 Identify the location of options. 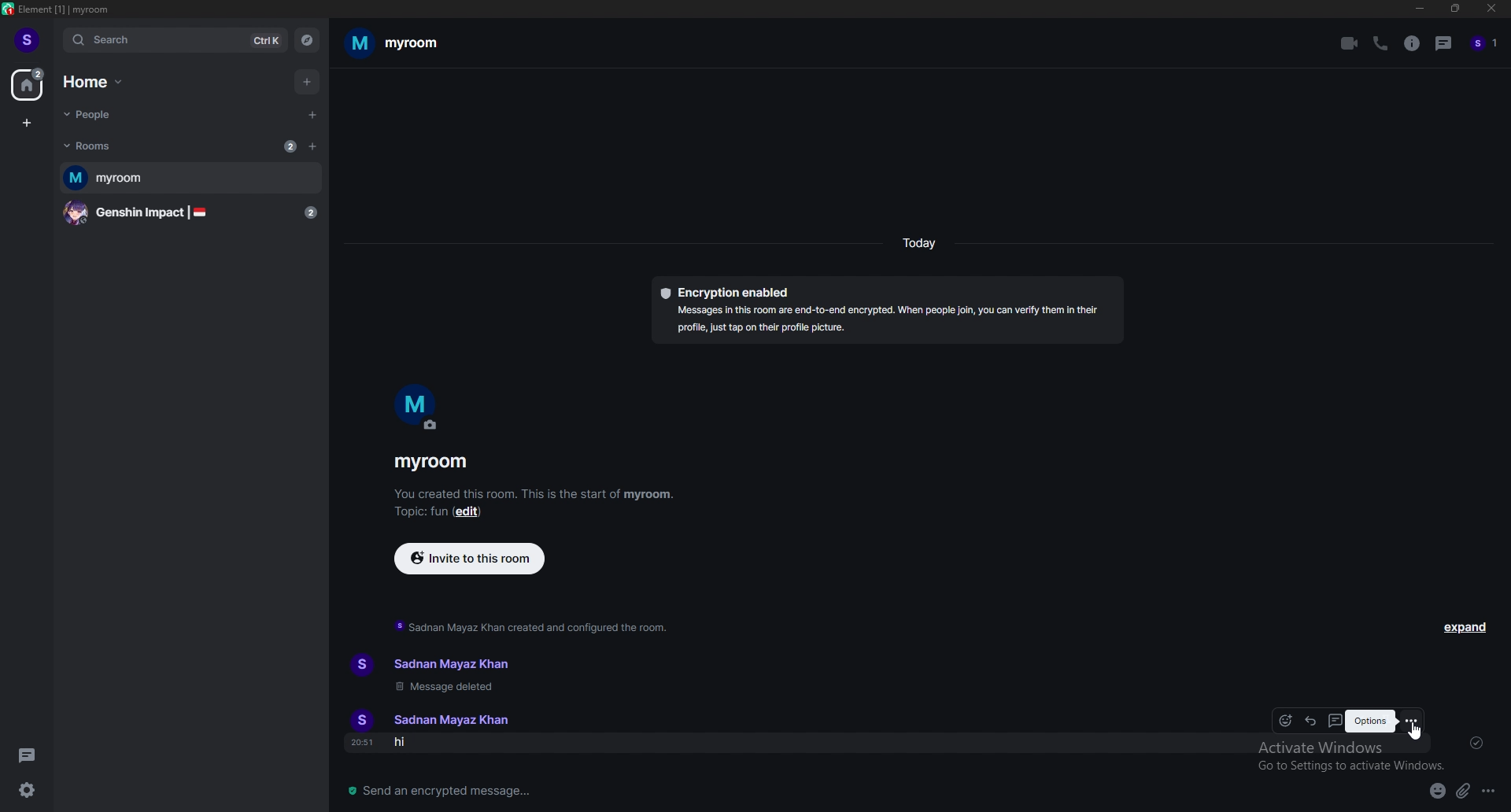
(1371, 722).